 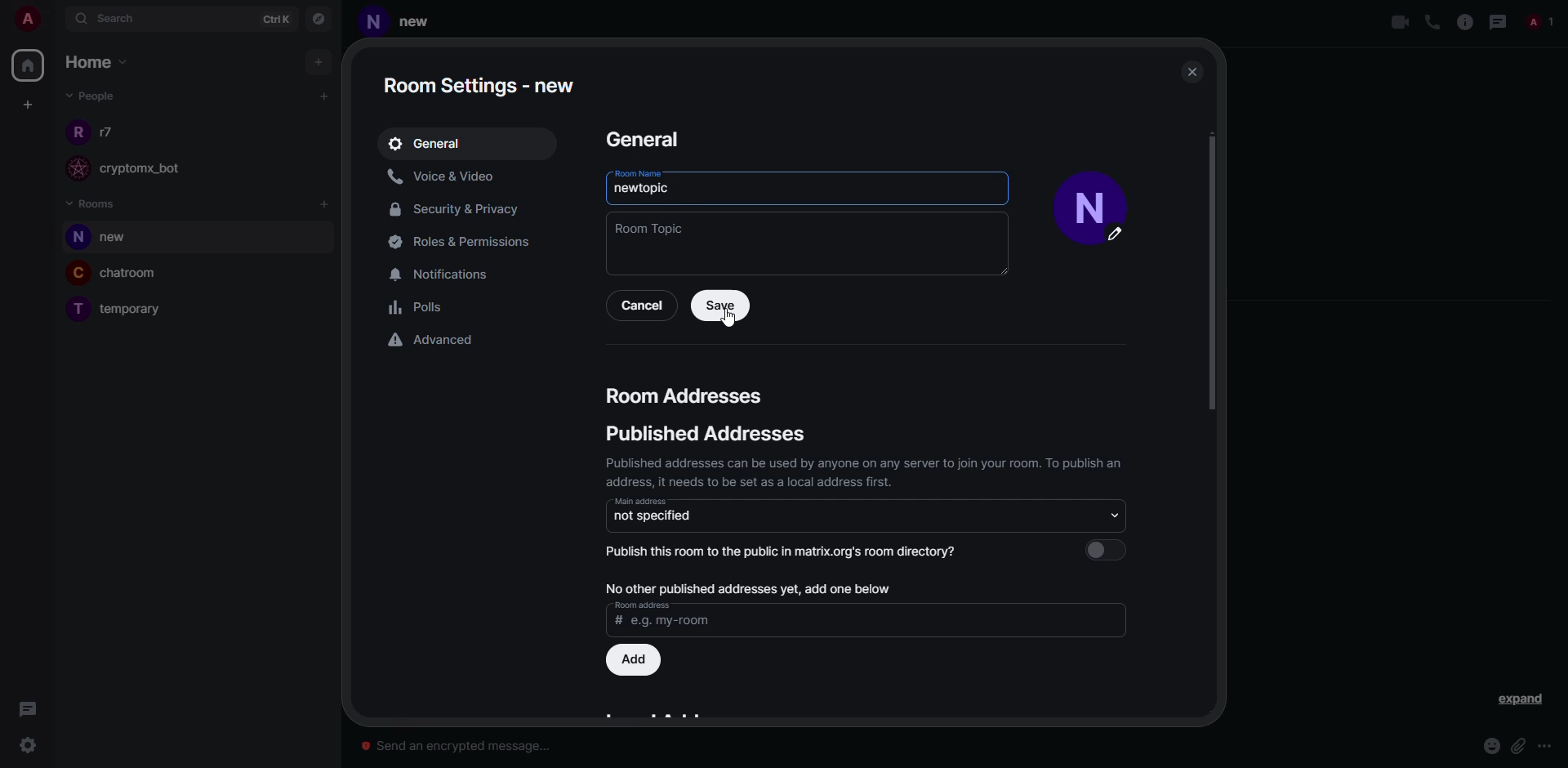 I want to click on people, so click(x=110, y=132).